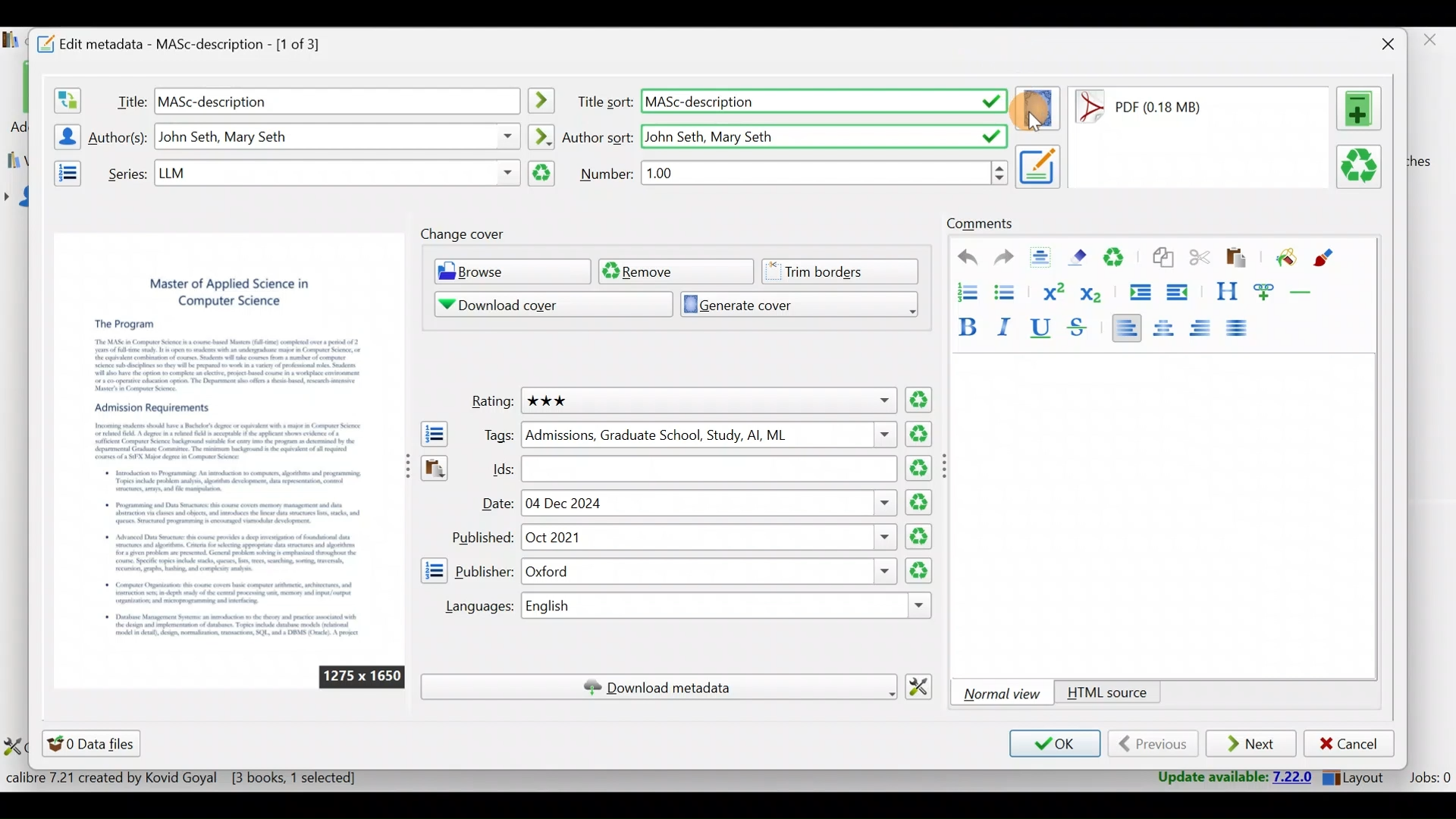 The image size is (1456, 819). I want to click on , so click(362, 676).